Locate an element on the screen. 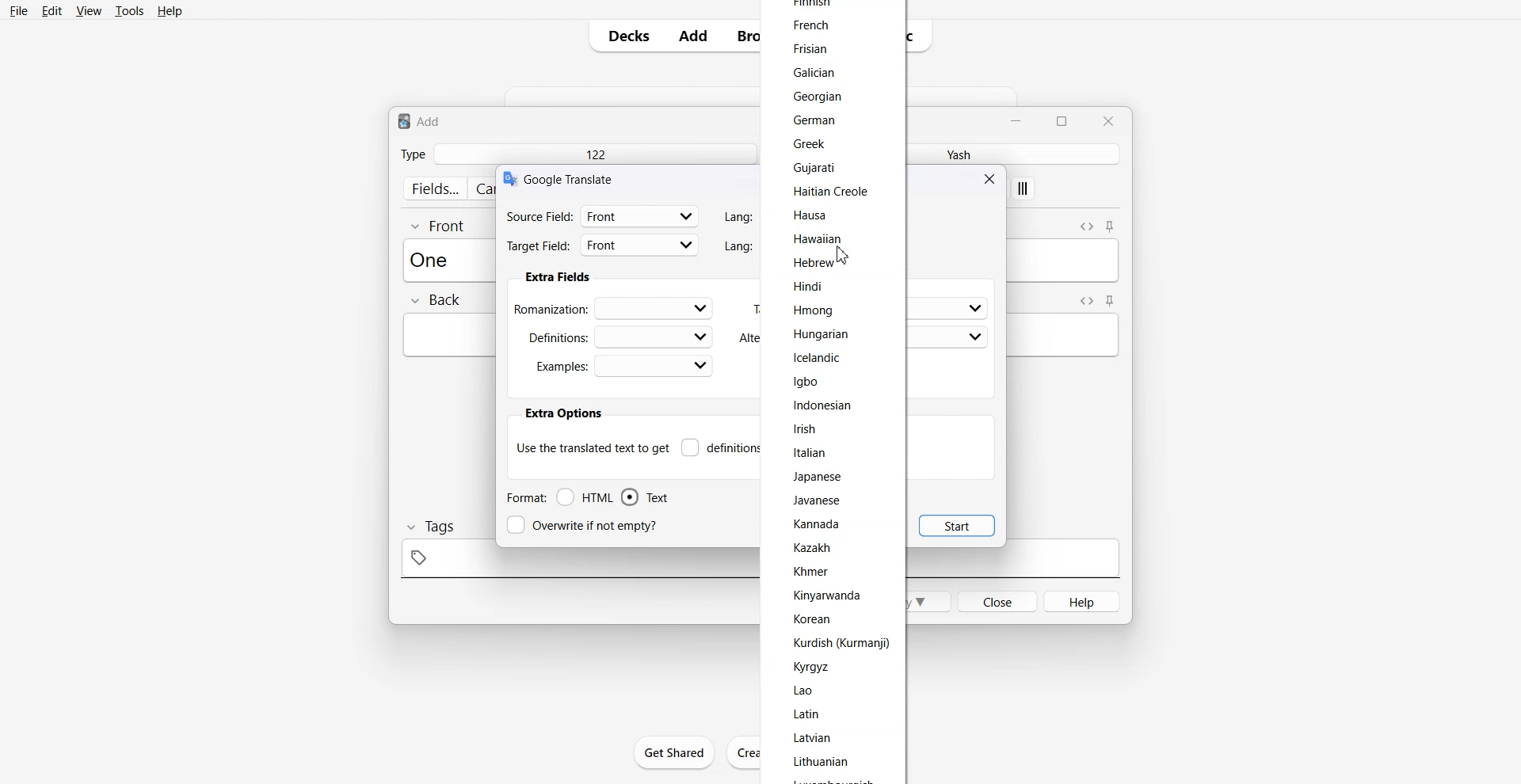 The image size is (1521, 784). Kinyarwanda is located at coordinates (829, 595).